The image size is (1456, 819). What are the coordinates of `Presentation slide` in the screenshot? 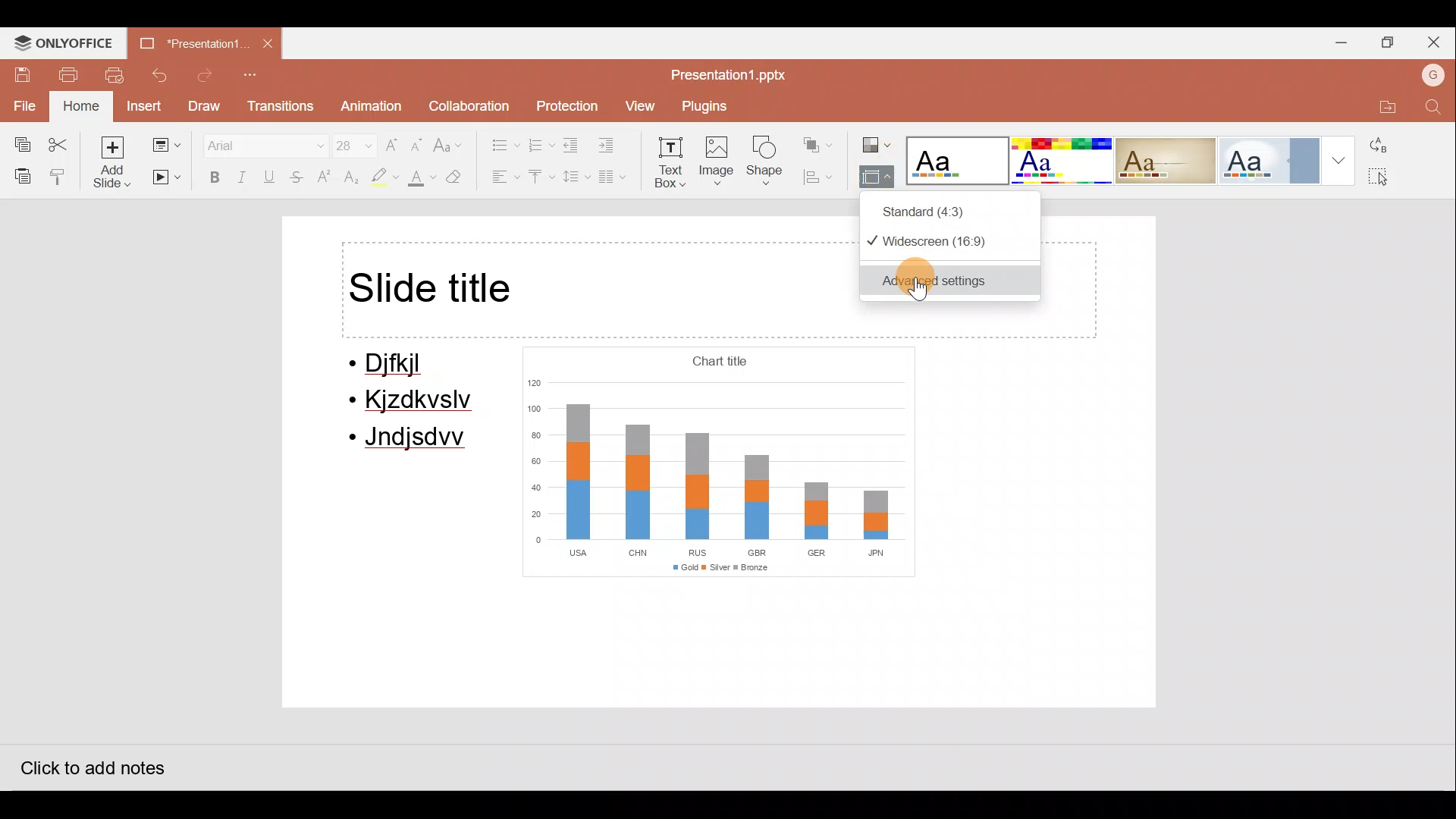 It's located at (718, 506).